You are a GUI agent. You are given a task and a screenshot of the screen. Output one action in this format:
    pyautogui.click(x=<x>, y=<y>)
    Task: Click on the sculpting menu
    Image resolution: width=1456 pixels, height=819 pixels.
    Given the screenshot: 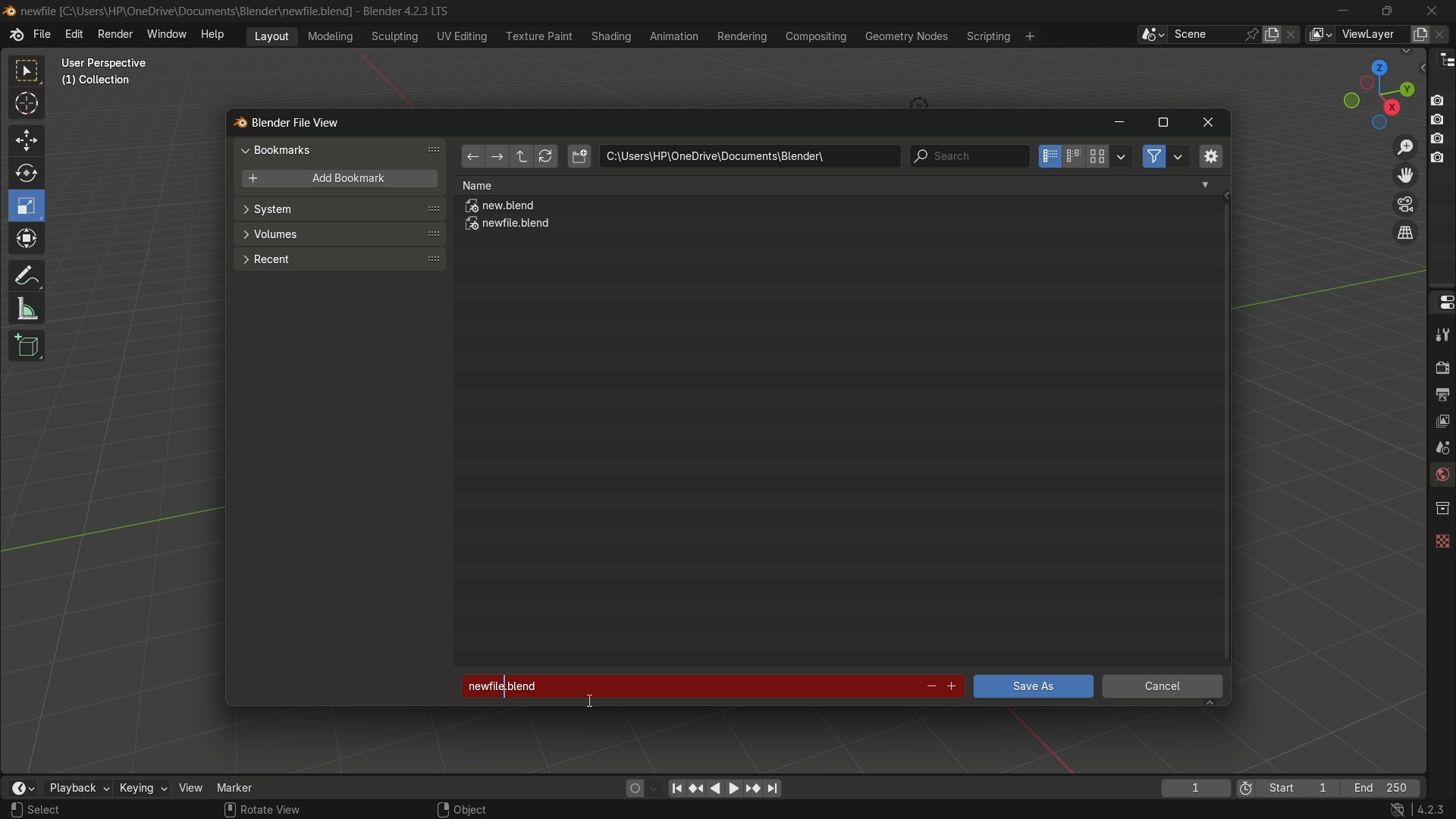 What is the action you would take?
    pyautogui.click(x=391, y=36)
    